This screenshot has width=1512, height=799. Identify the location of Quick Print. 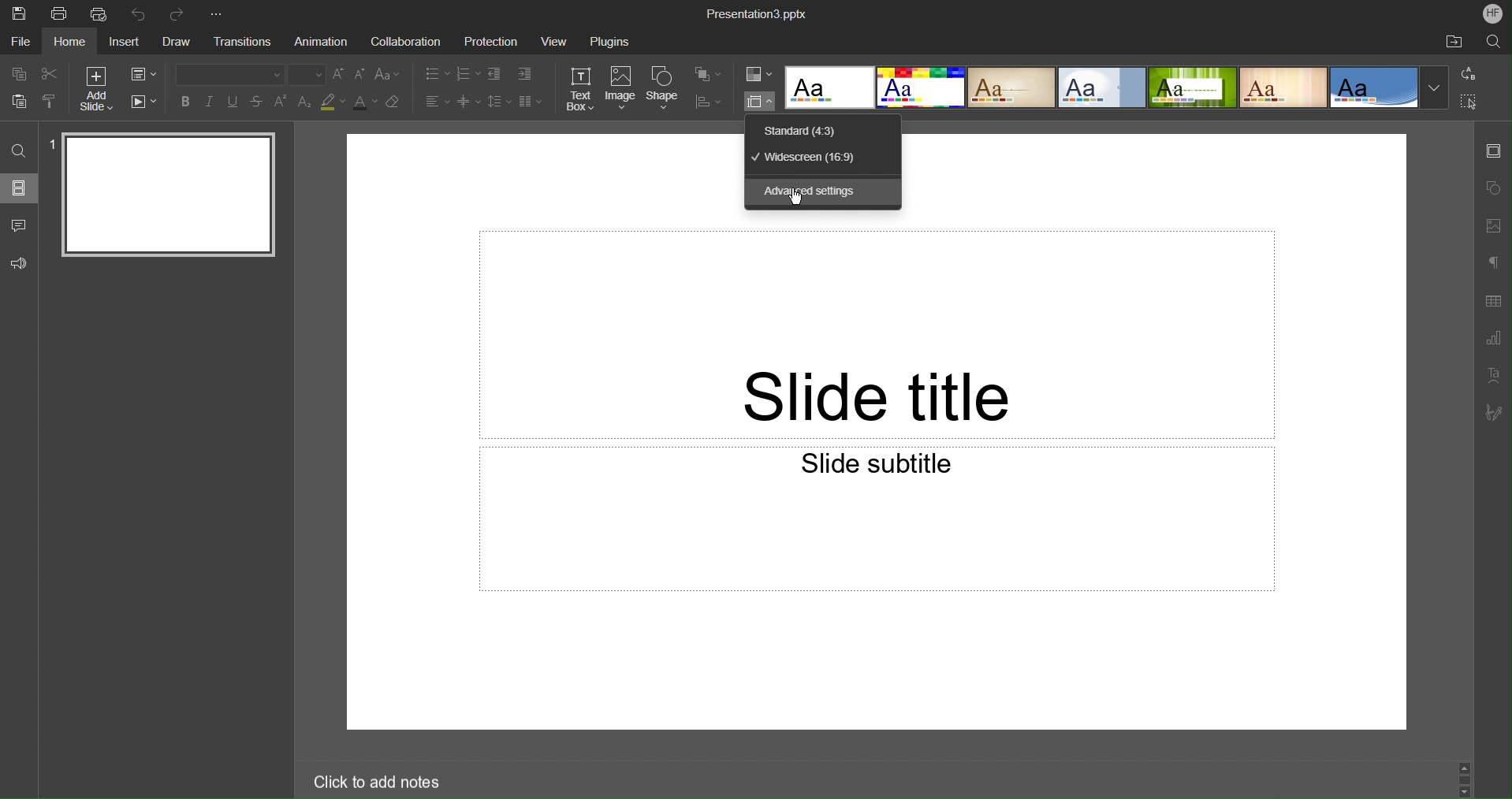
(100, 15).